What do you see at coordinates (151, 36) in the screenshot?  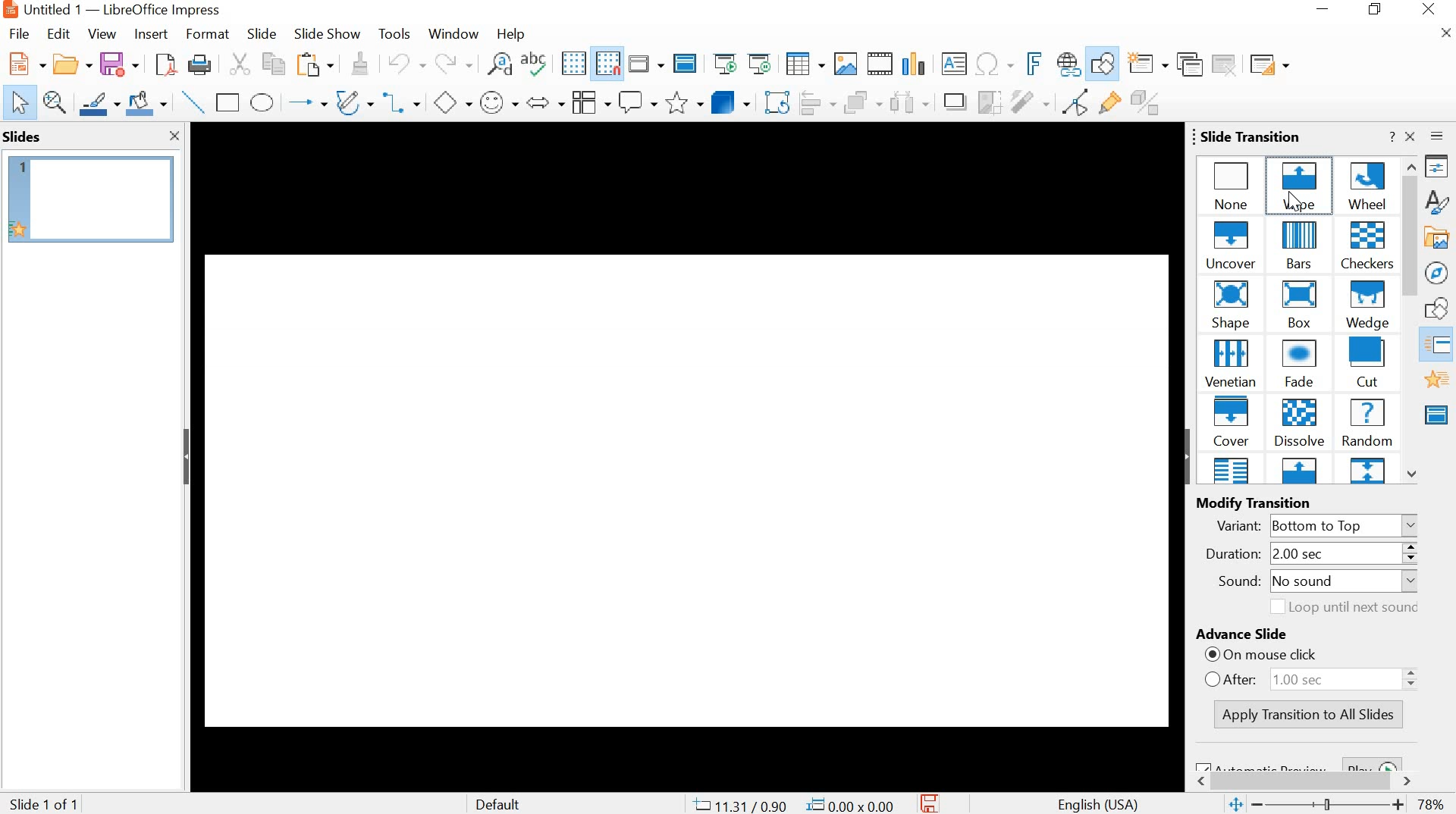 I see `INSERT` at bounding box center [151, 36].